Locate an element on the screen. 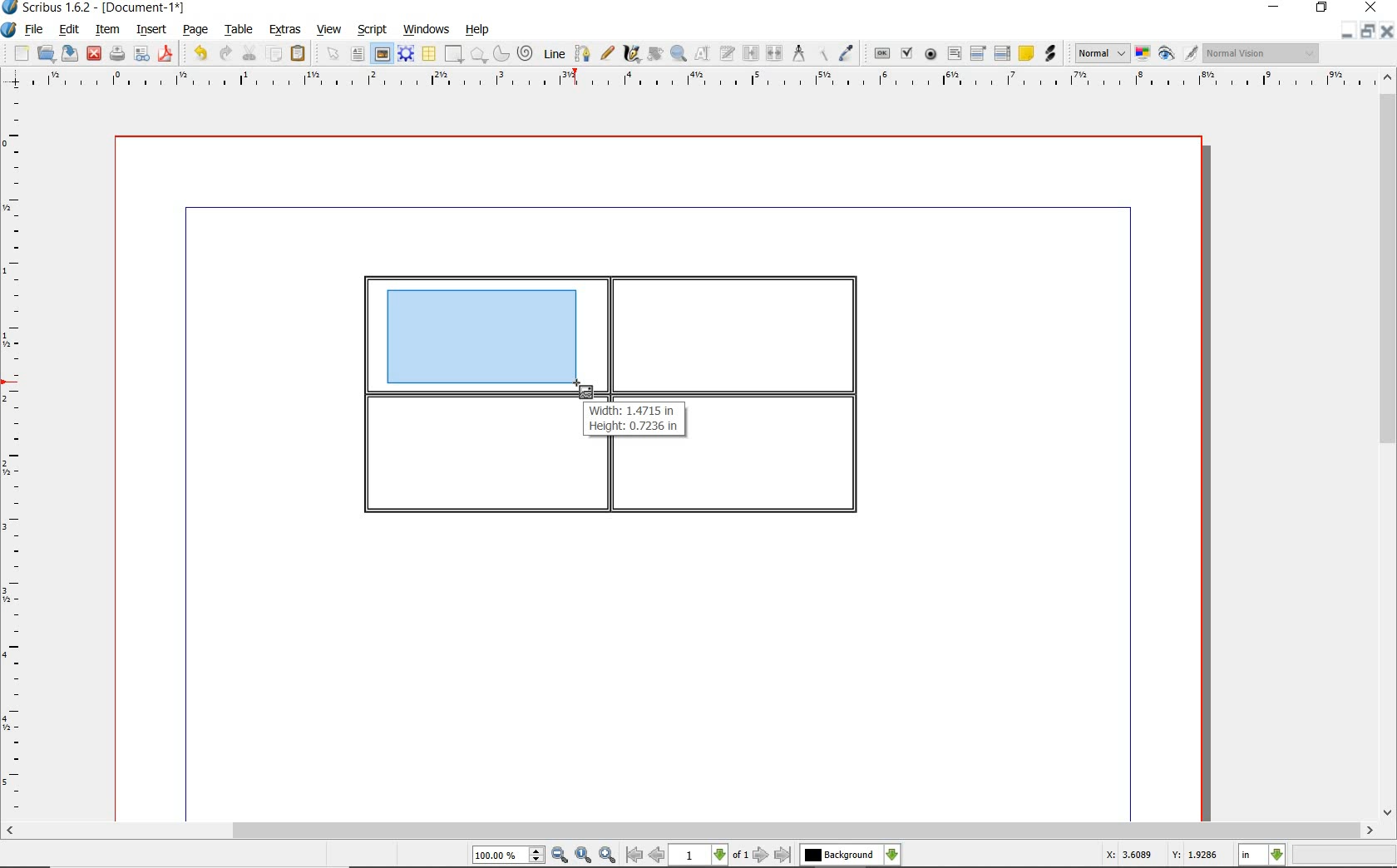 Image resolution: width=1397 pixels, height=868 pixels. undo is located at coordinates (200, 53).